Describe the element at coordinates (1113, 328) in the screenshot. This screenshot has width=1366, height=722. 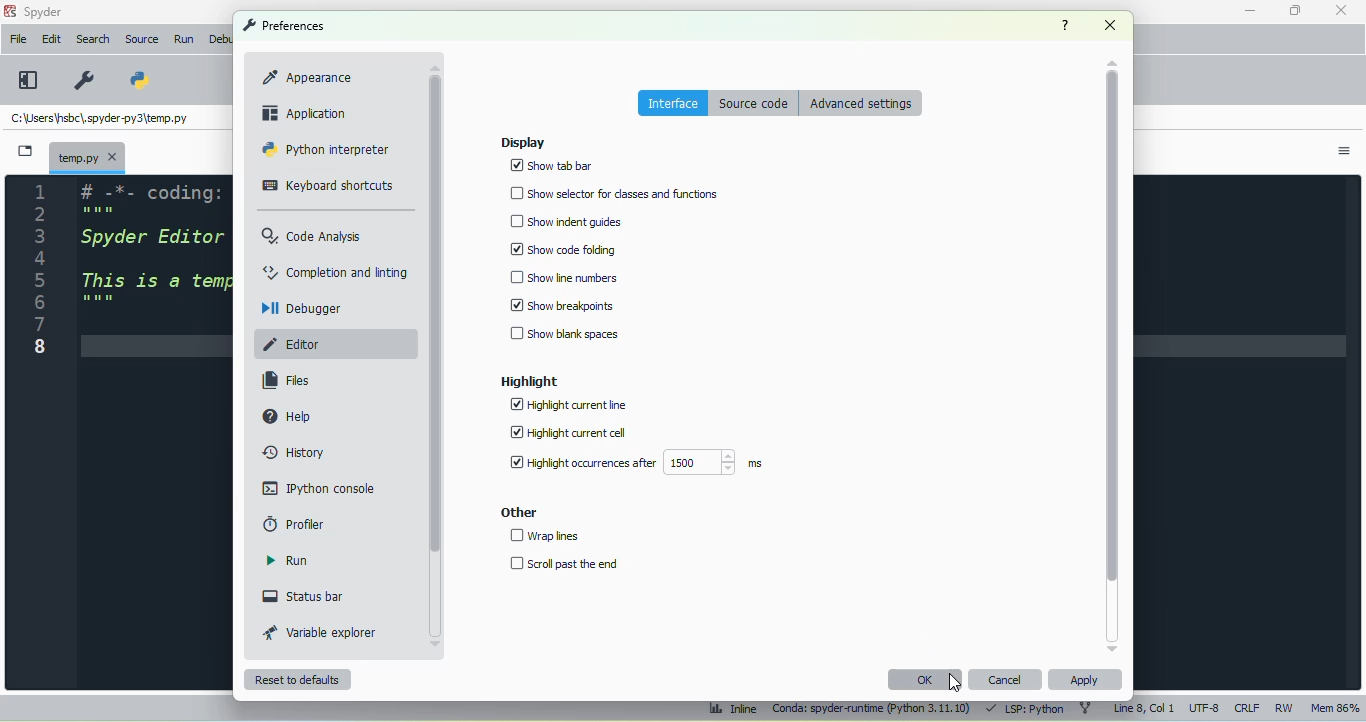
I see `vertical scroll bar` at that location.